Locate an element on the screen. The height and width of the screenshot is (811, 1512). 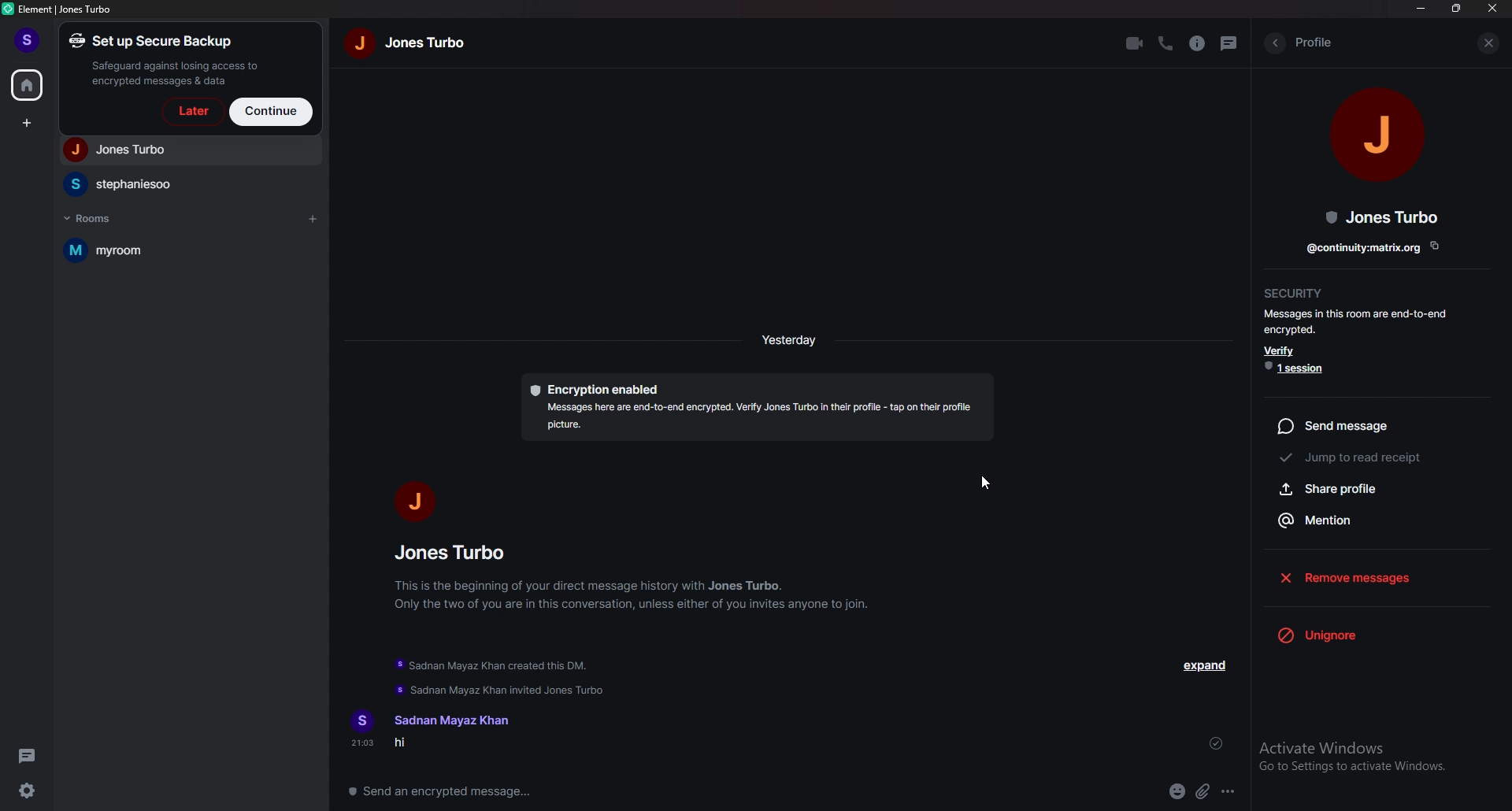
people is located at coordinates (188, 184).